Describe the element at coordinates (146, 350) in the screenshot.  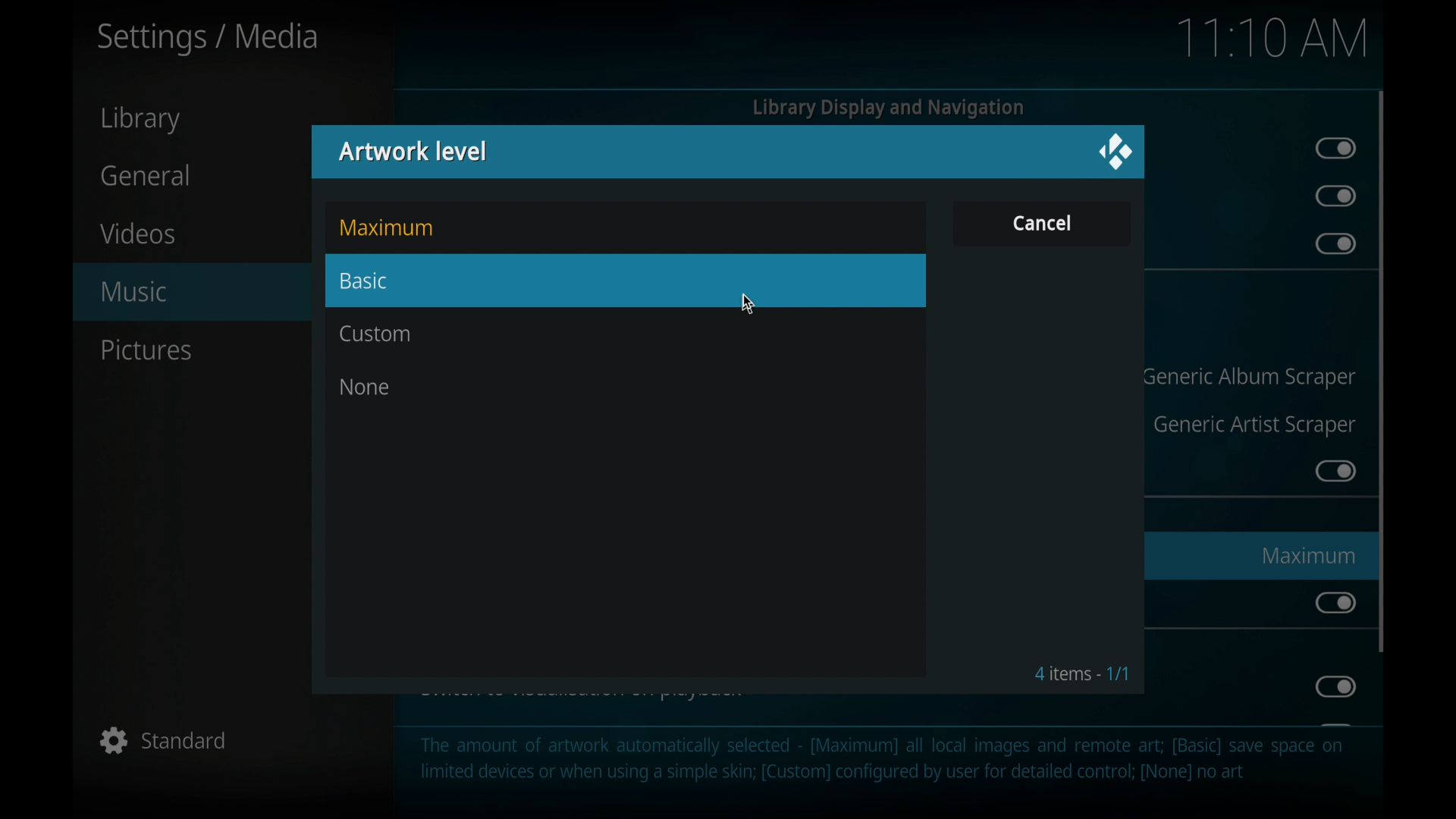
I see `pictures` at that location.